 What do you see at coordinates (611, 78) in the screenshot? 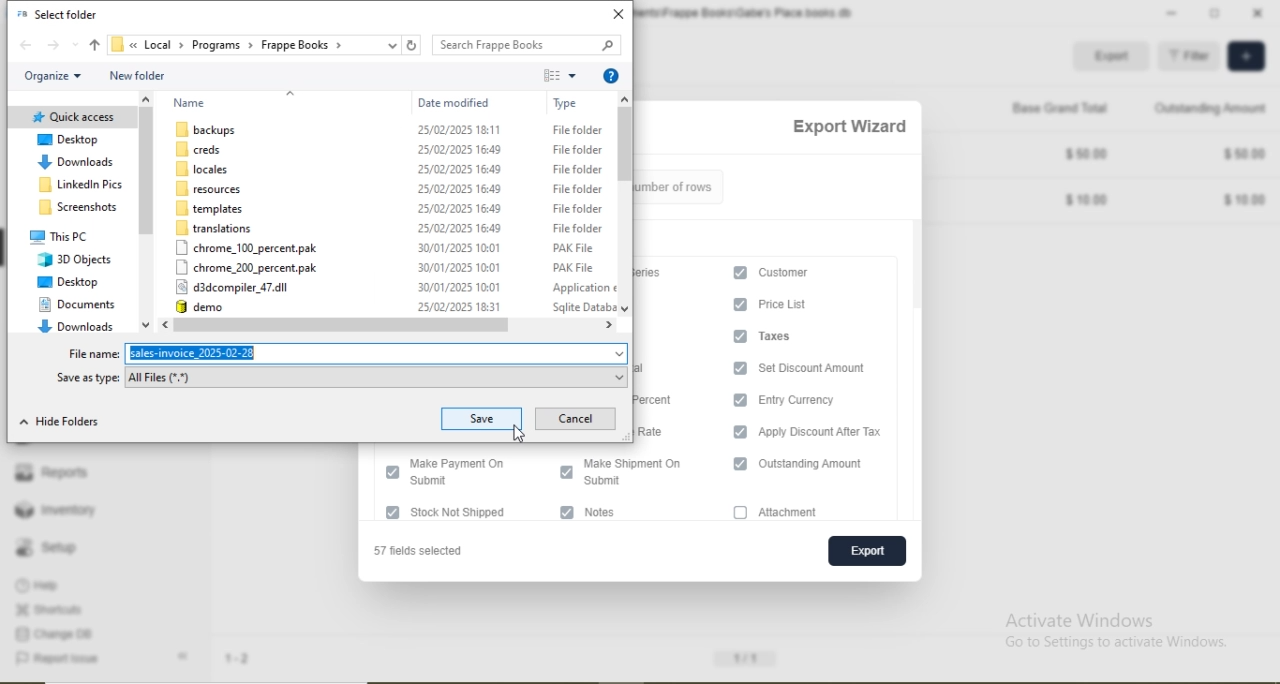
I see `questions` at bounding box center [611, 78].